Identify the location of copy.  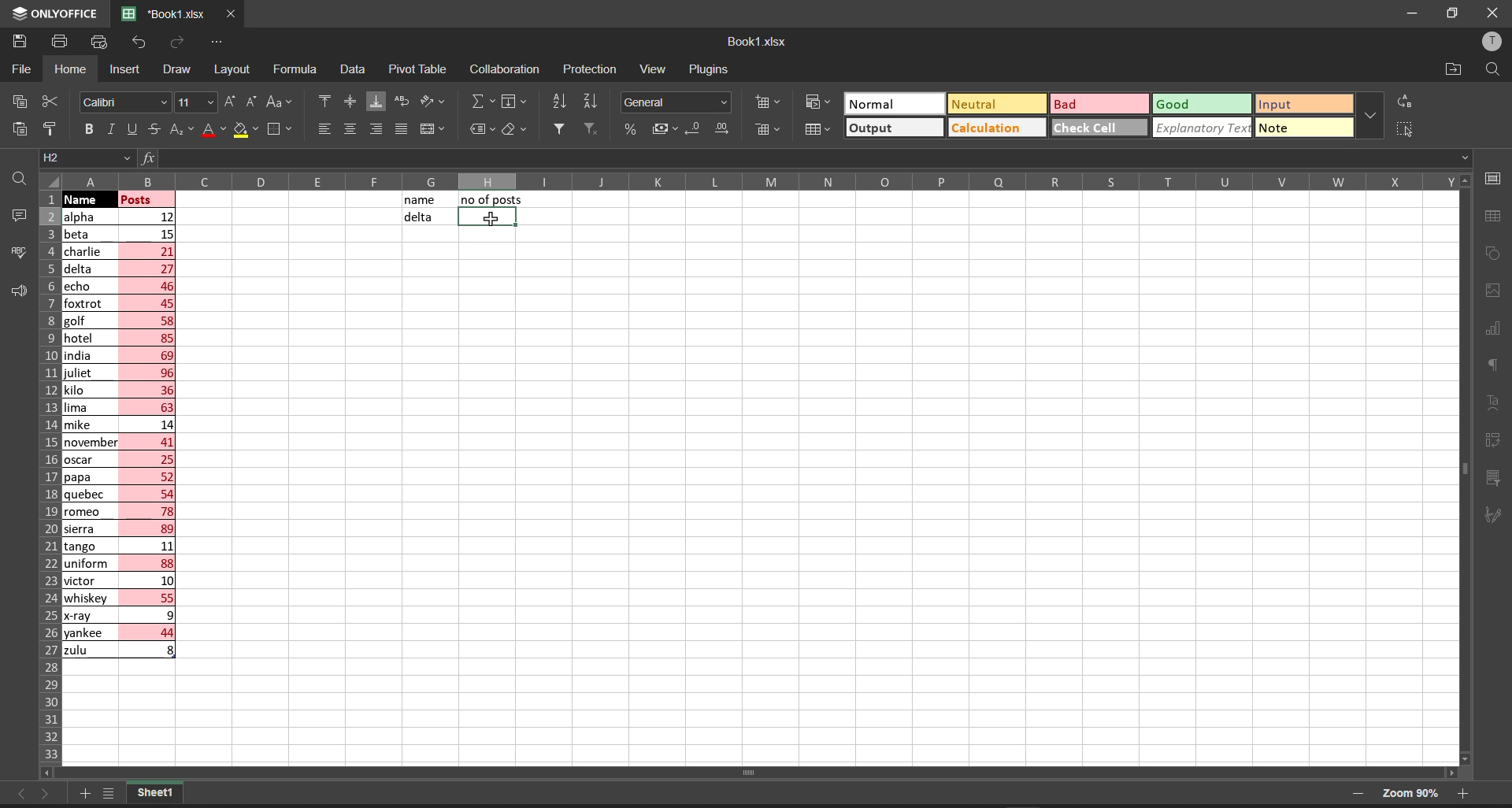
(16, 101).